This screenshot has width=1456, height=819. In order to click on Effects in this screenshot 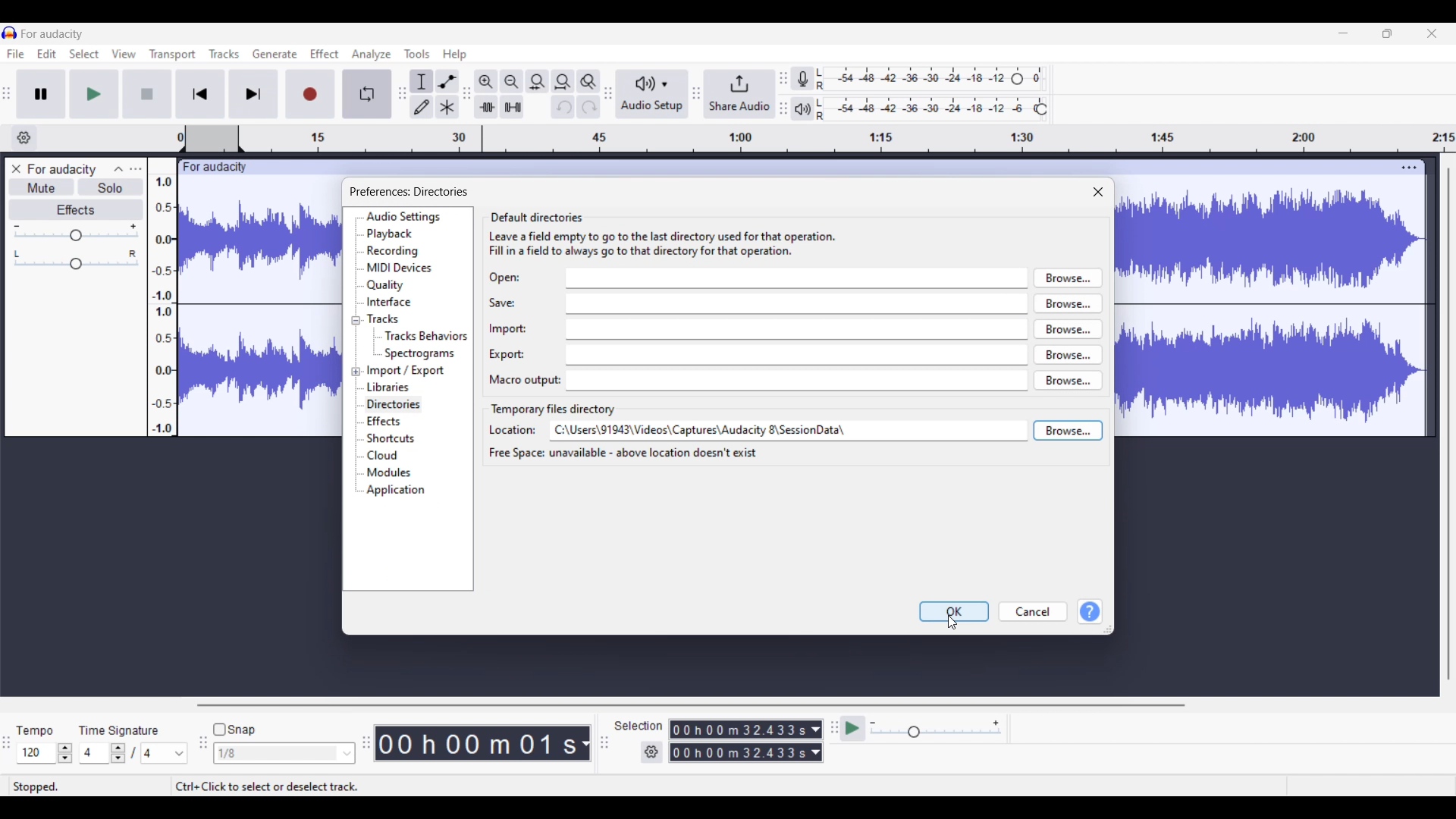, I will do `click(77, 209)`.